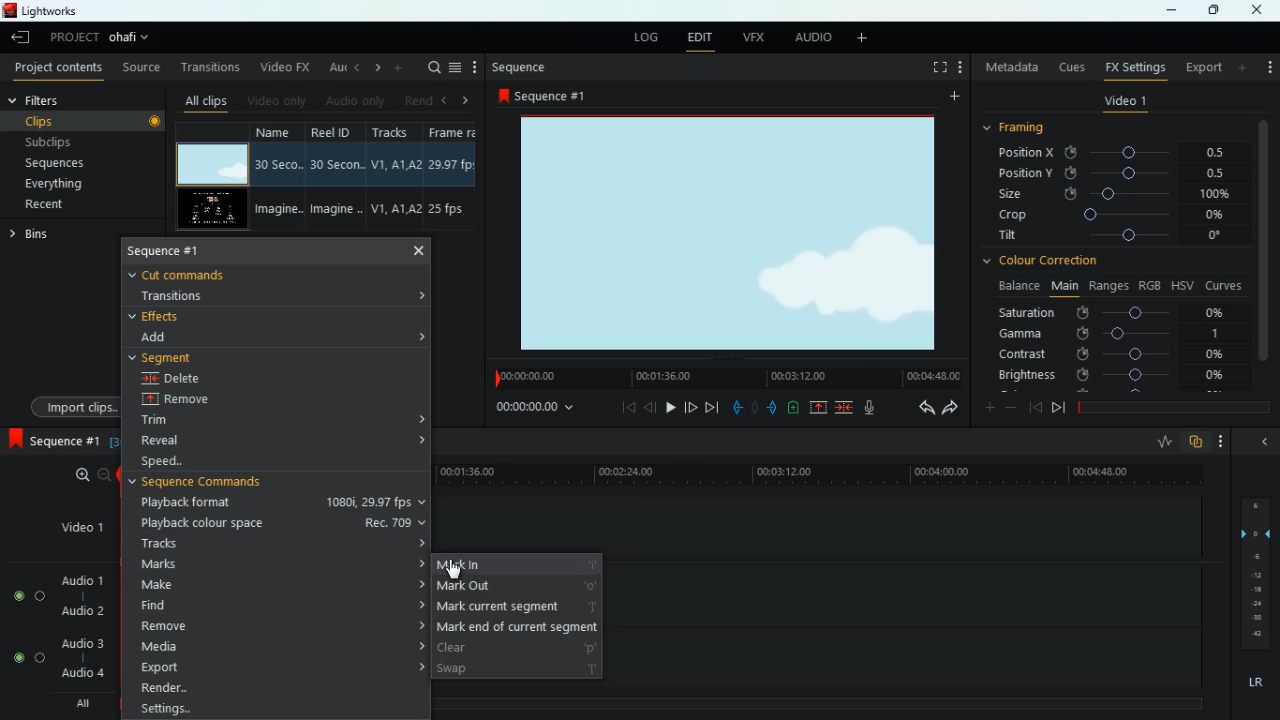 Image resolution: width=1280 pixels, height=720 pixels. I want to click on mark end of current segment, so click(522, 625).